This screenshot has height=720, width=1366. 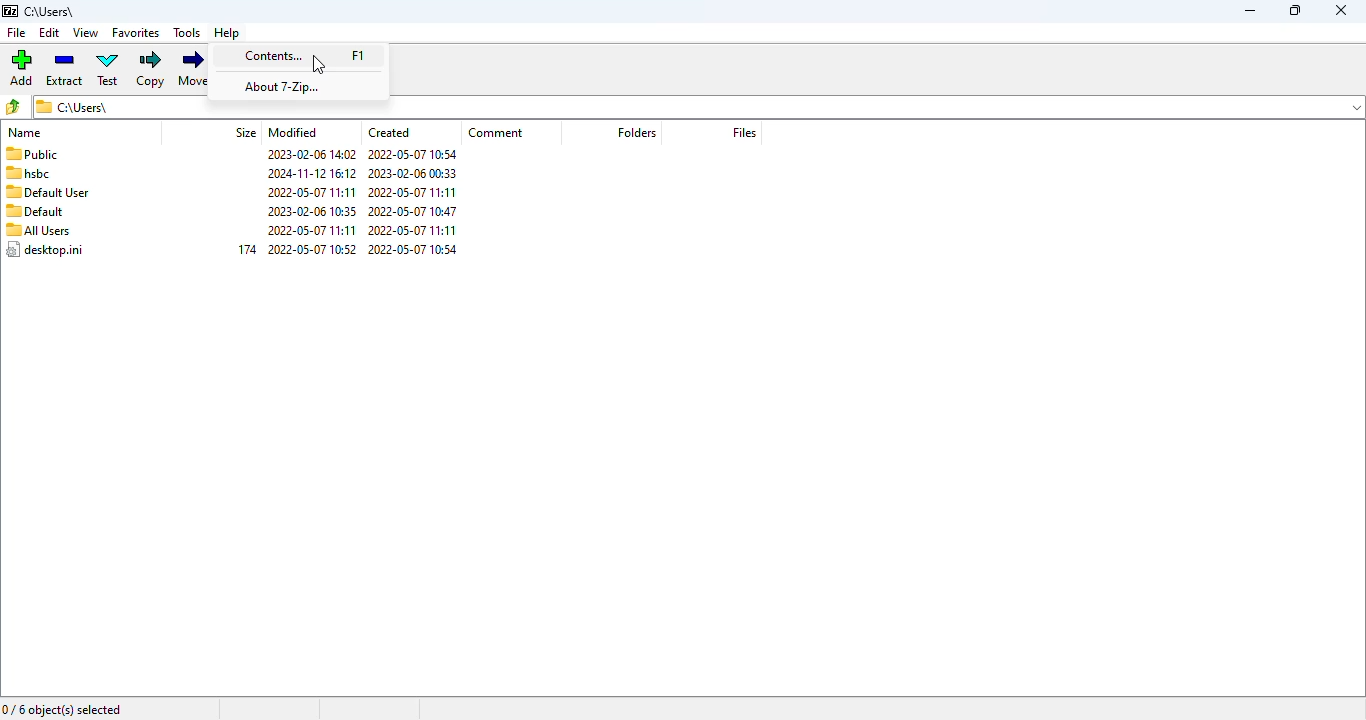 What do you see at coordinates (1341, 10) in the screenshot?
I see `close` at bounding box center [1341, 10].